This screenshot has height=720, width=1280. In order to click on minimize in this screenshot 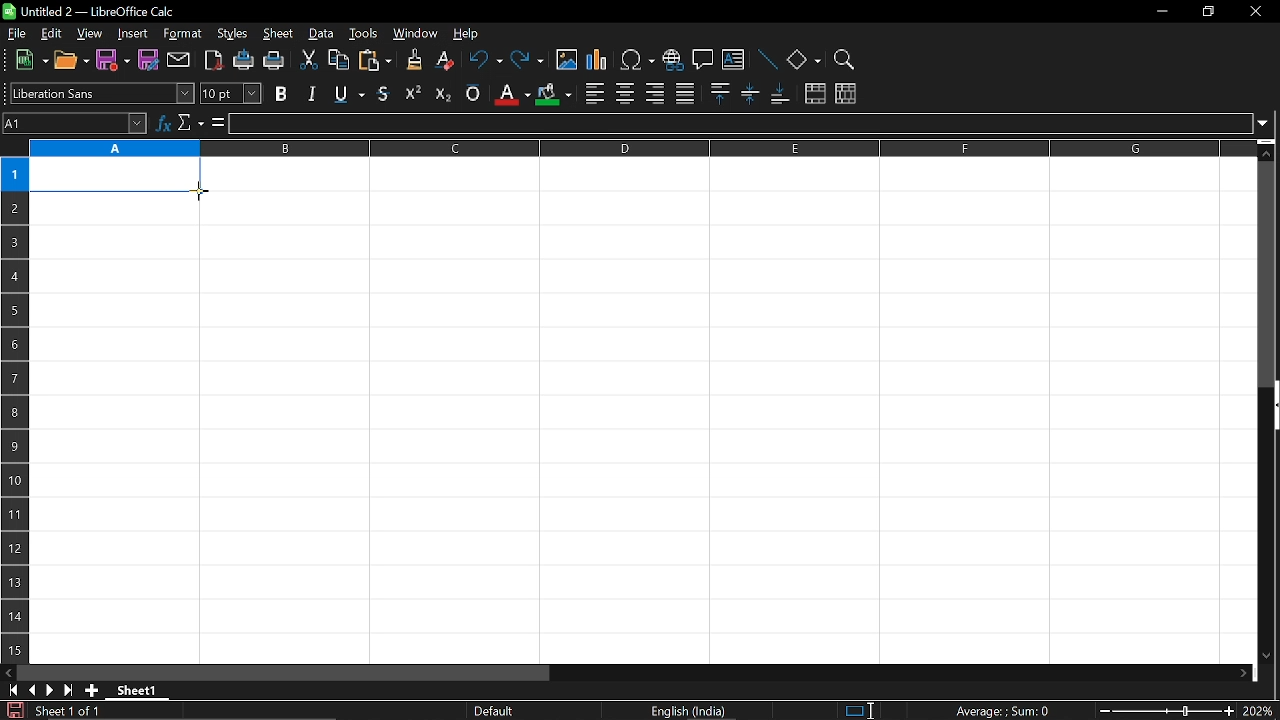, I will do `click(1162, 10)`.